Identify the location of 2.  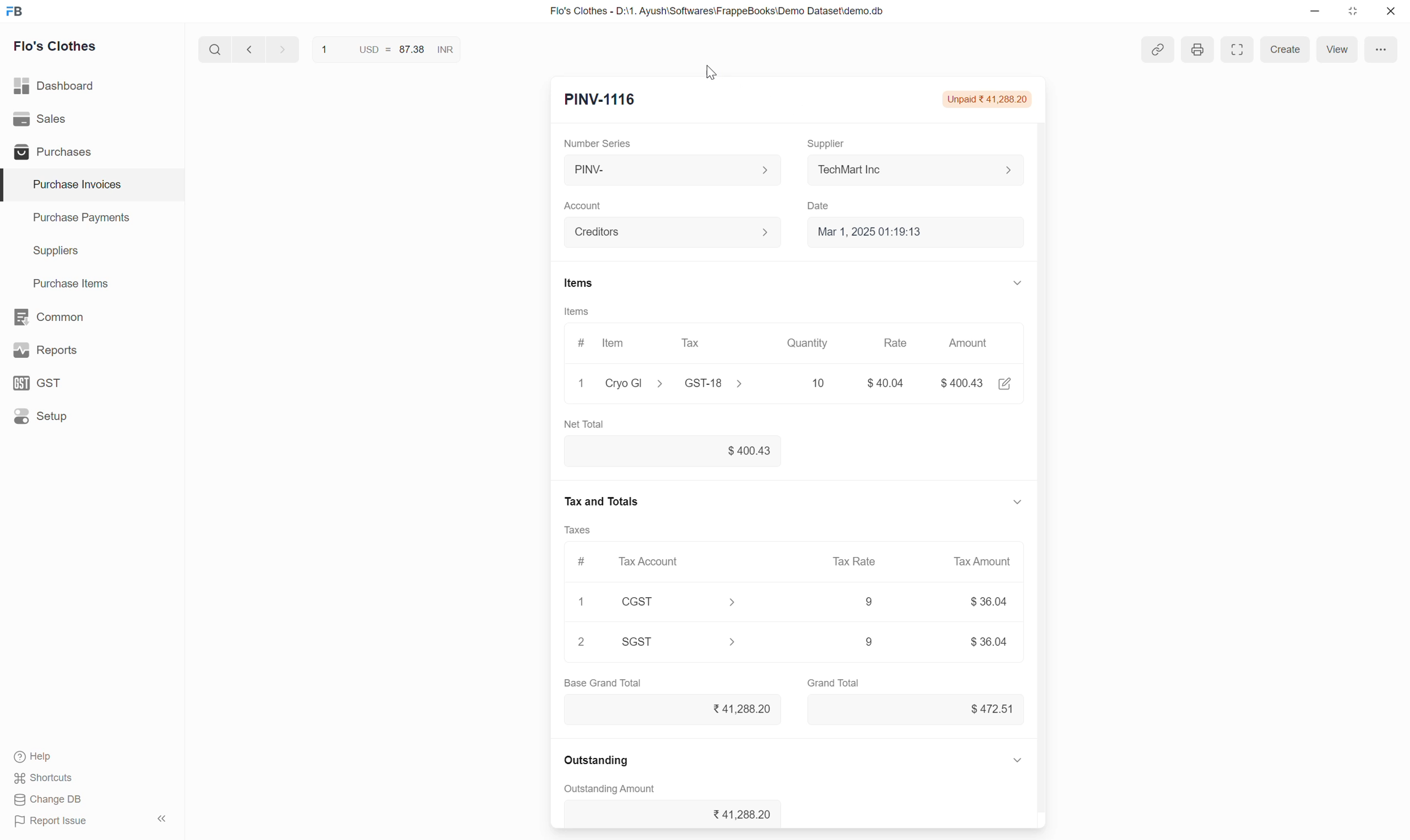
(584, 641).